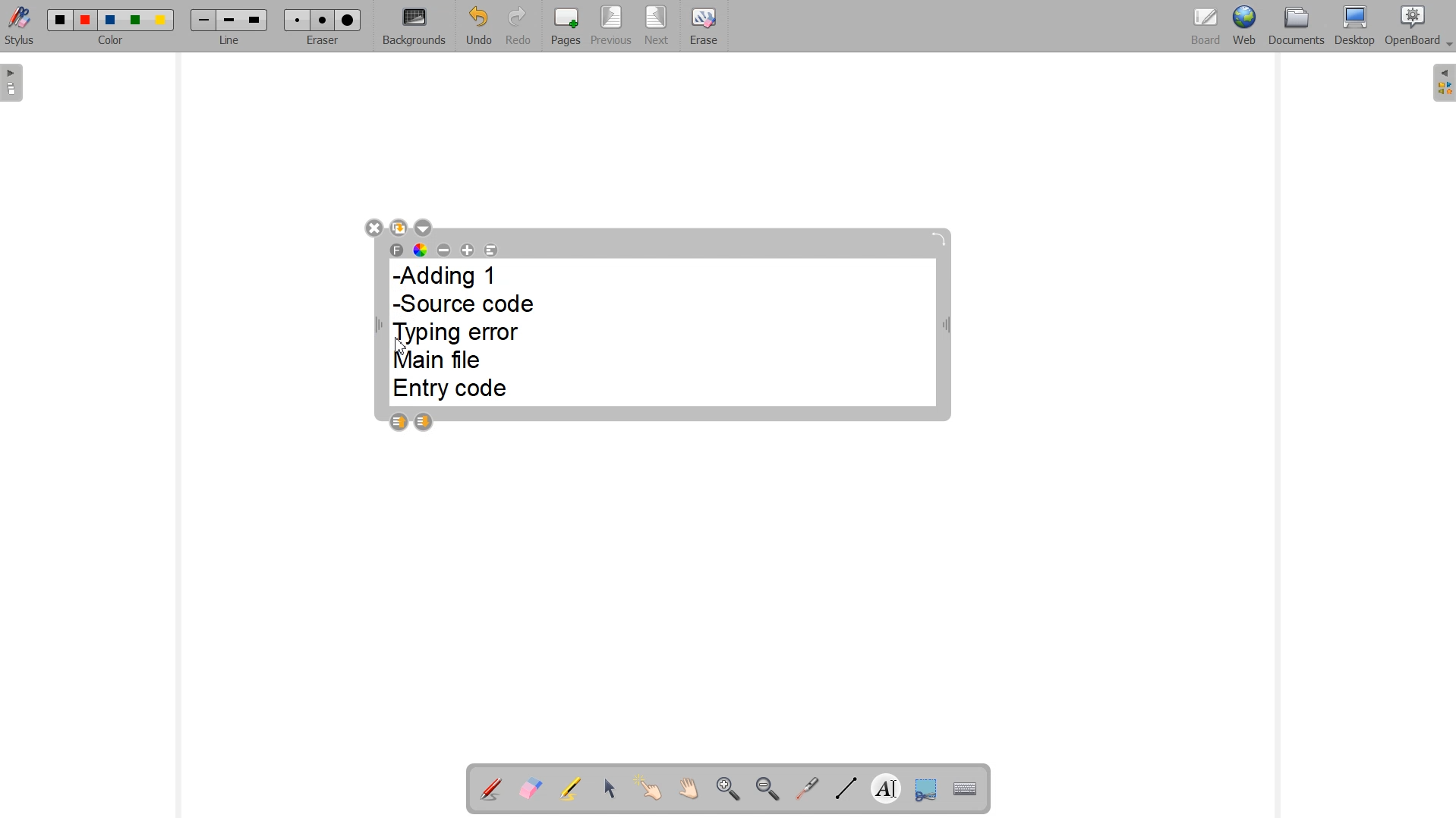 Image resolution: width=1456 pixels, height=818 pixels. Describe the element at coordinates (767, 788) in the screenshot. I see `Zoom out` at that location.